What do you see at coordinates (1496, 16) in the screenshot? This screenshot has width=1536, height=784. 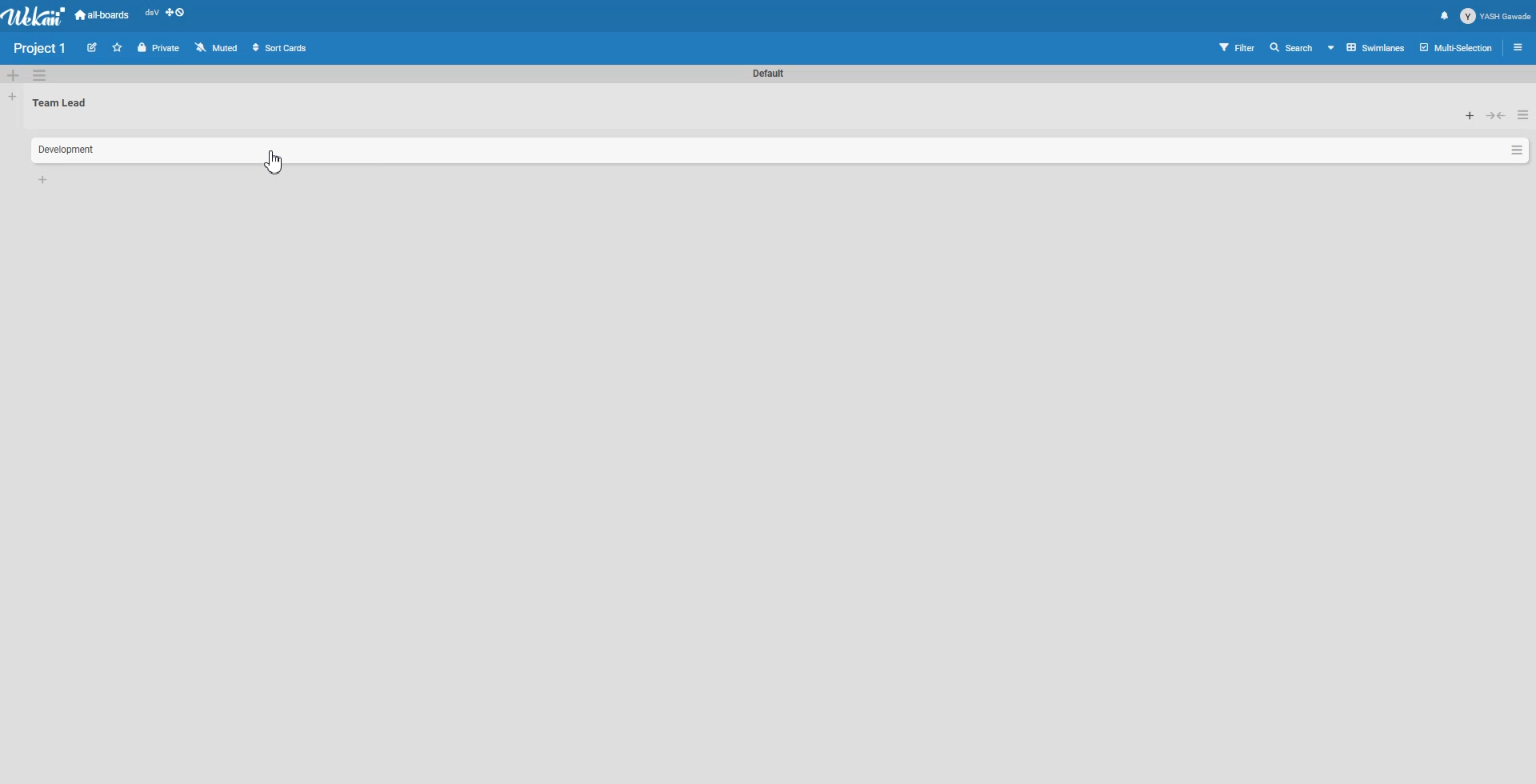 I see `Profile` at bounding box center [1496, 16].